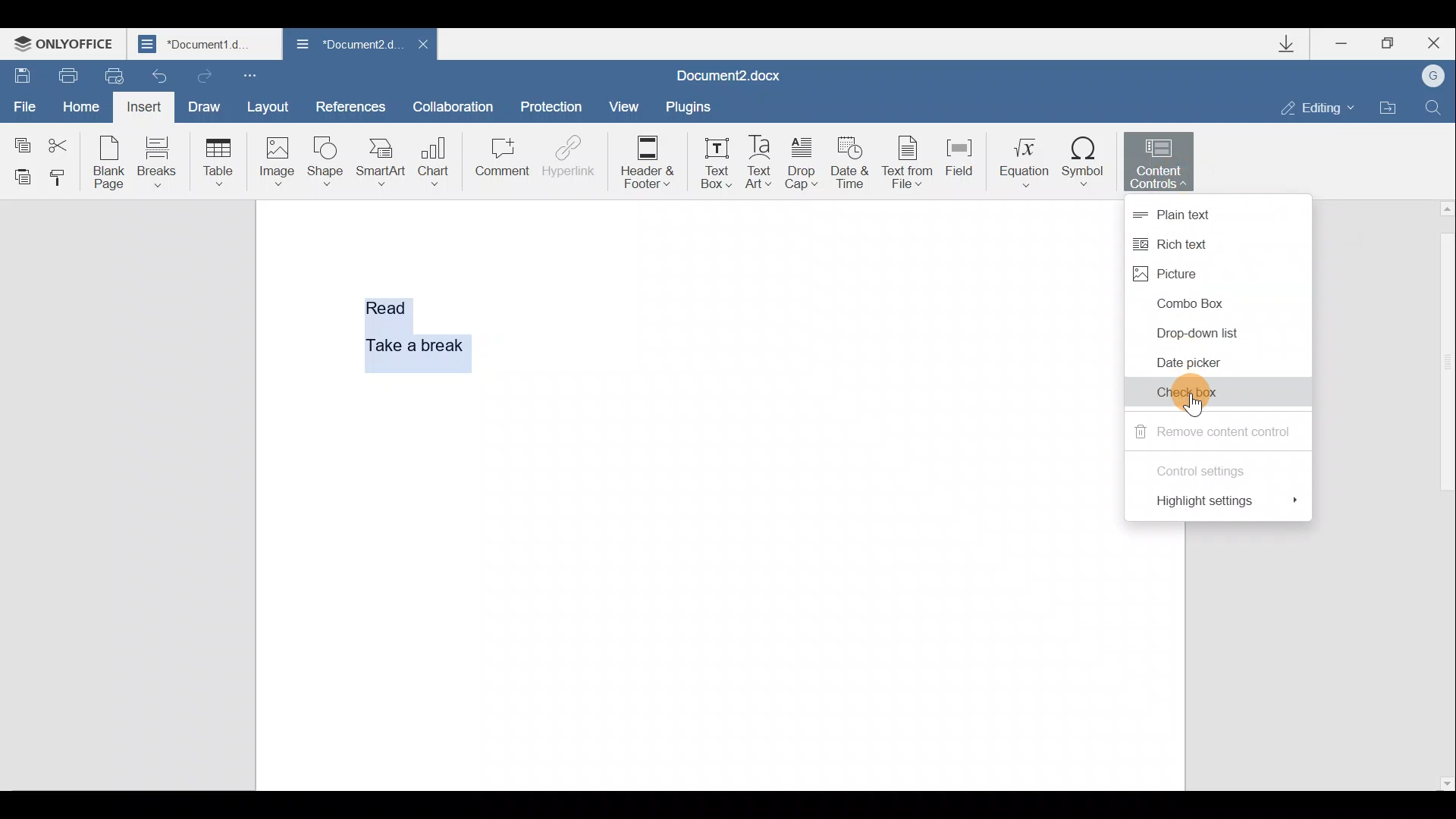 The width and height of the screenshot is (1456, 819). What do you see at coordinates (249, 76) in the screenshot?
I see `Customize quick access toolbar` at bounding box center [249, 76].